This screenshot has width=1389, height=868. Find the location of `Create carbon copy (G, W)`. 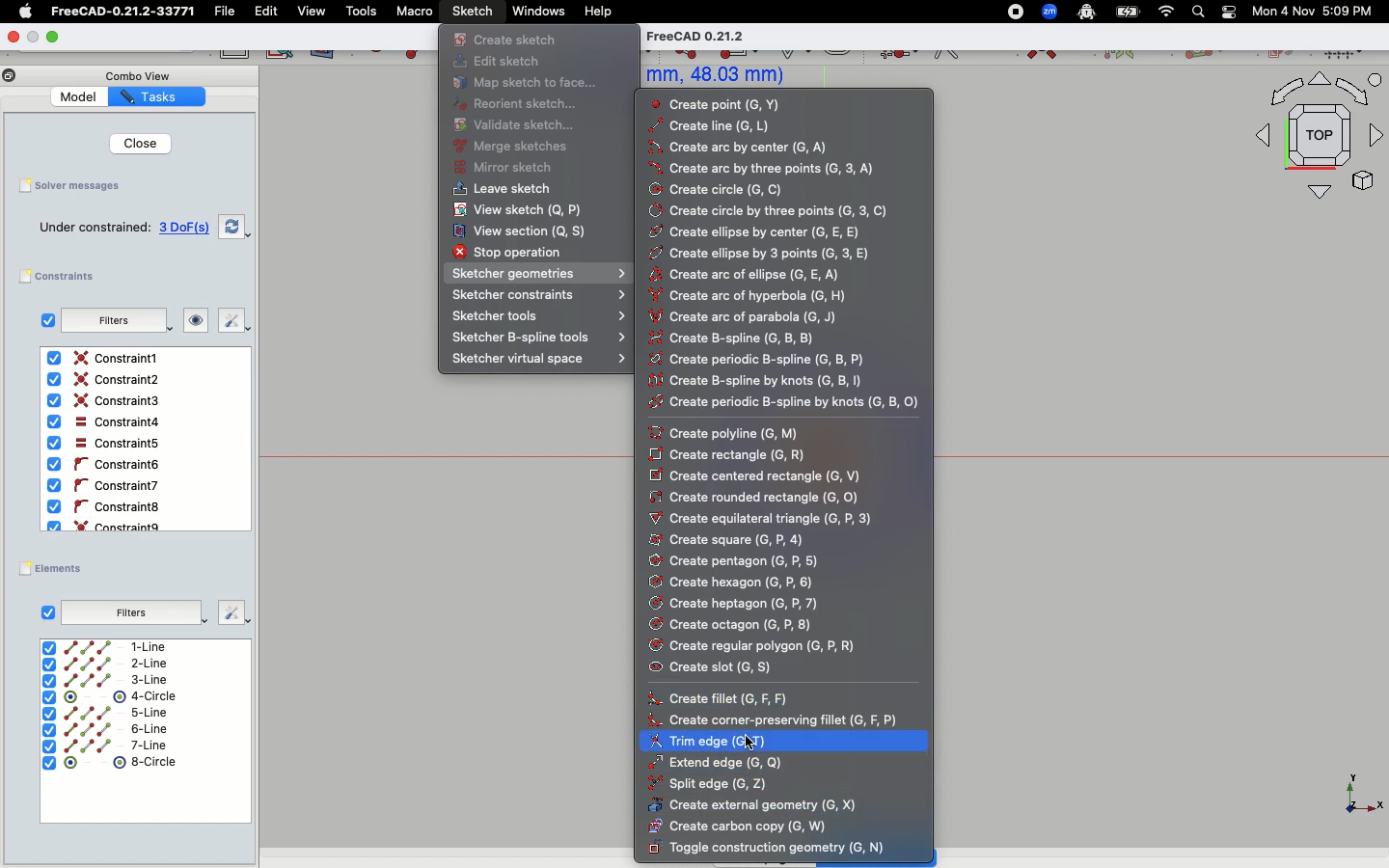

Create carbon copy (G, W) is located at coordinates (744, 828).